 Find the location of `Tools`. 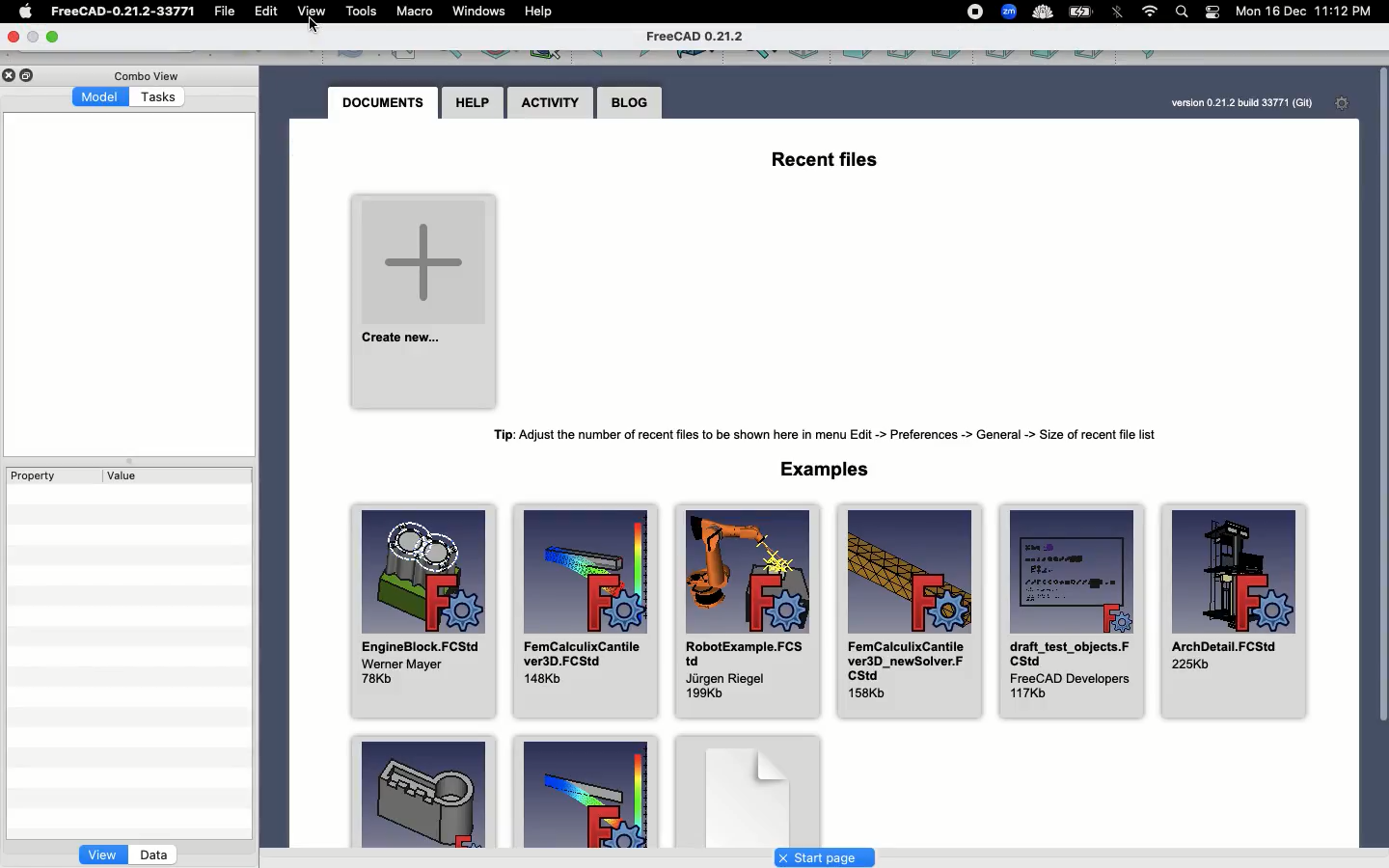

Tools is located at coordinates (360, 12).